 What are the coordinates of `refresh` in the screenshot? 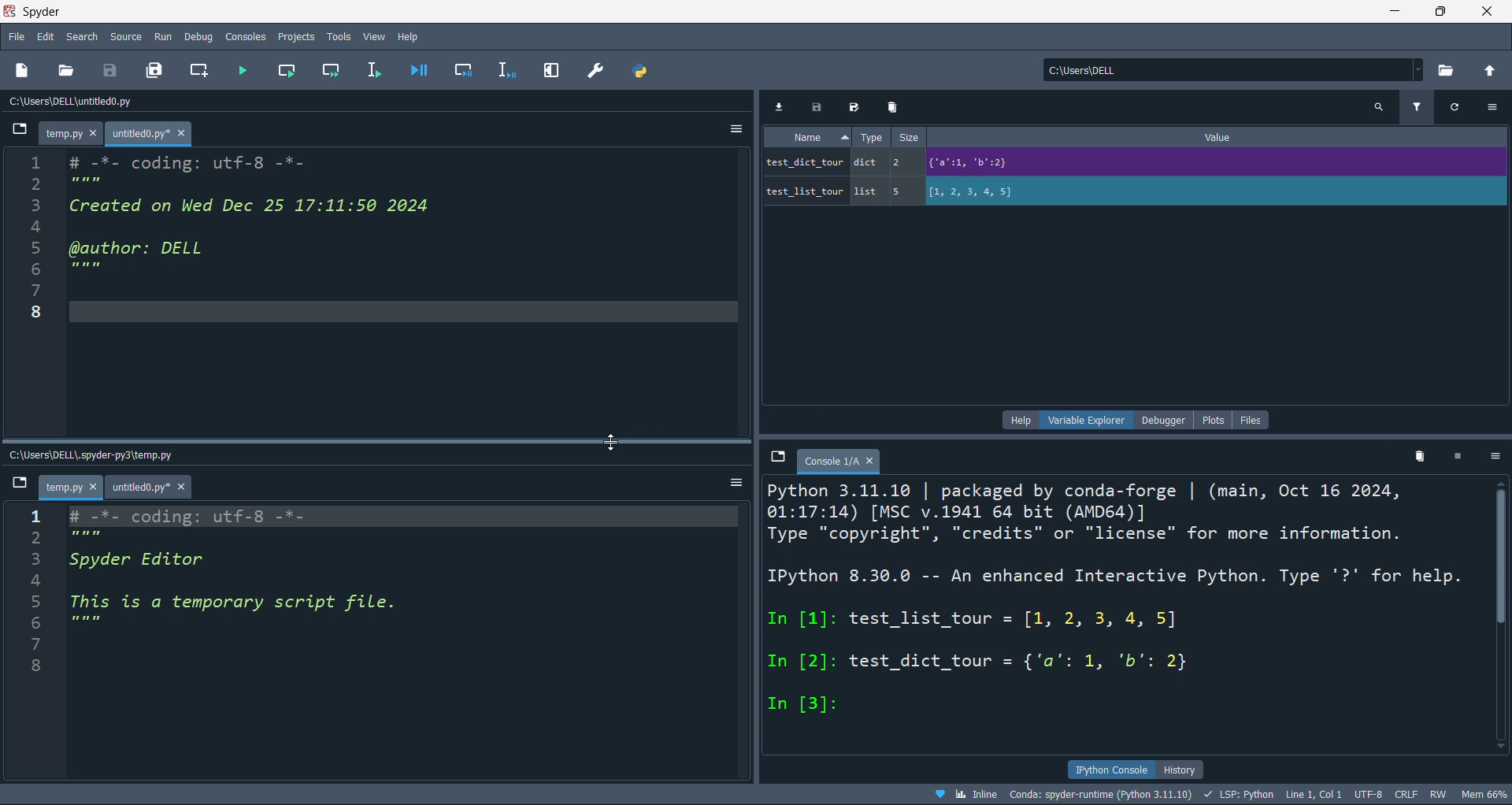 It's located at (1459, 106).